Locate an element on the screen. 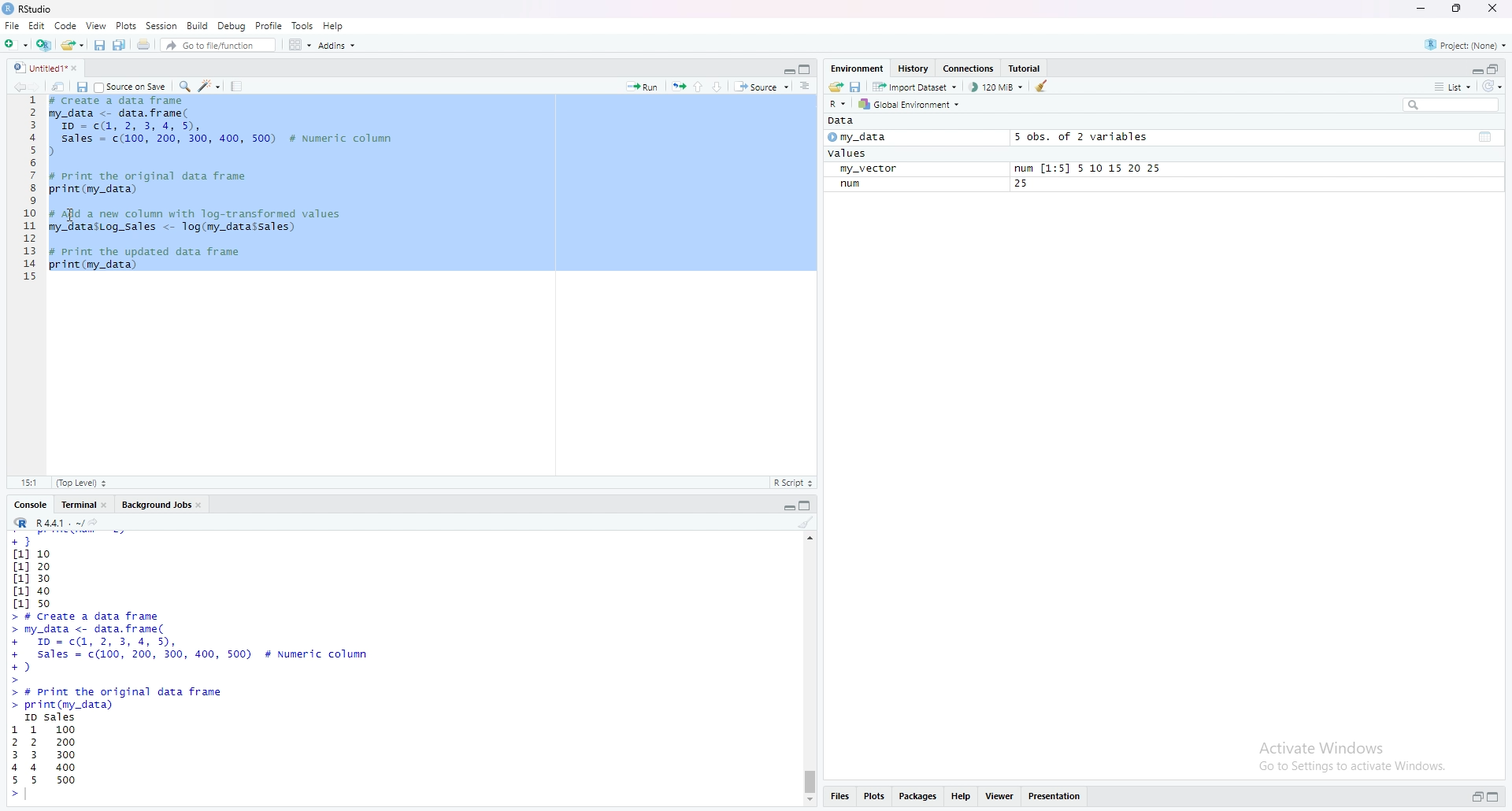 The height and width of the screenshot is (811, 1512). print data frame function is located at coordinates (132, 698).